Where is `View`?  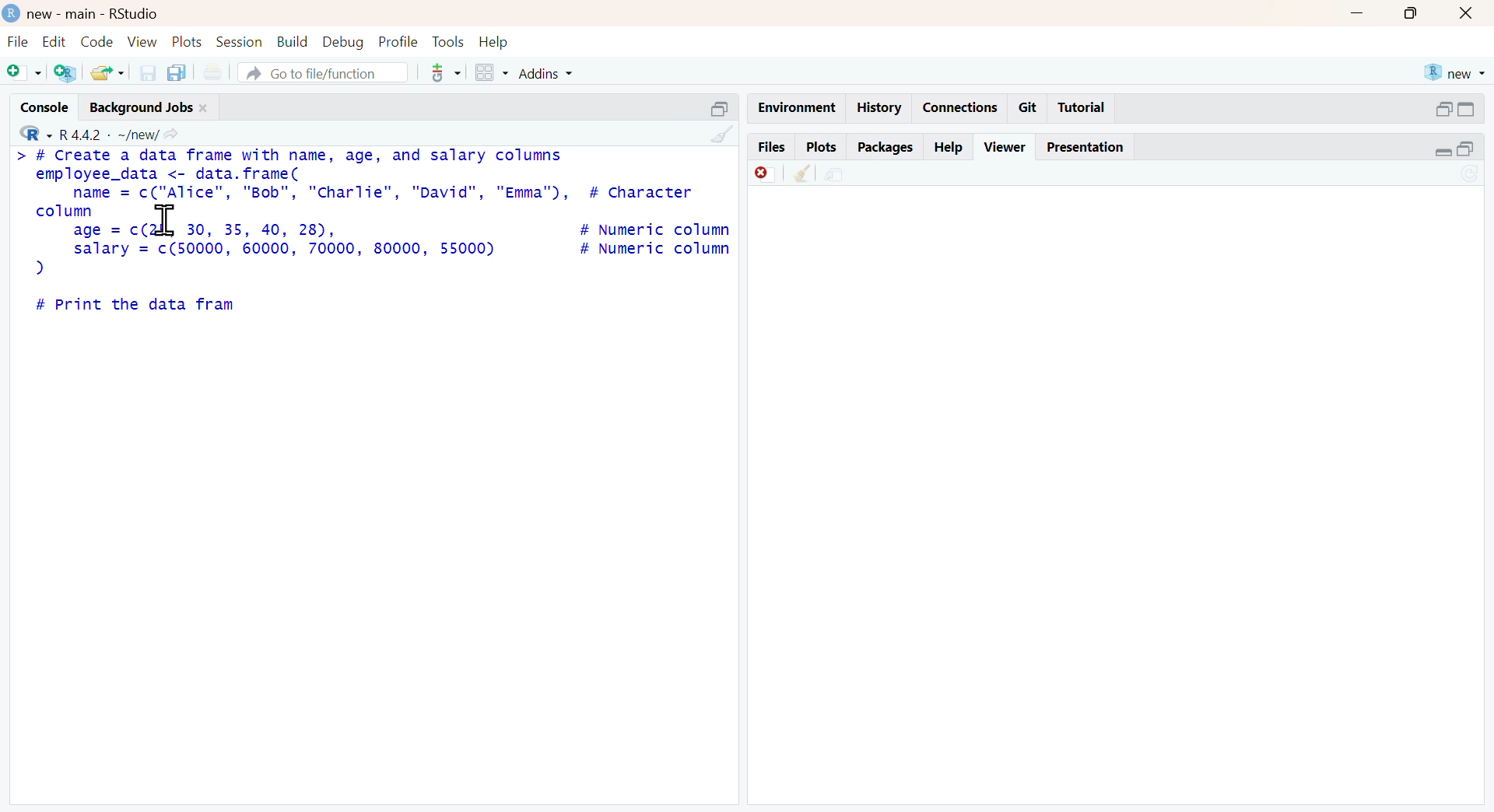 View is located at coordinates (139, 42).